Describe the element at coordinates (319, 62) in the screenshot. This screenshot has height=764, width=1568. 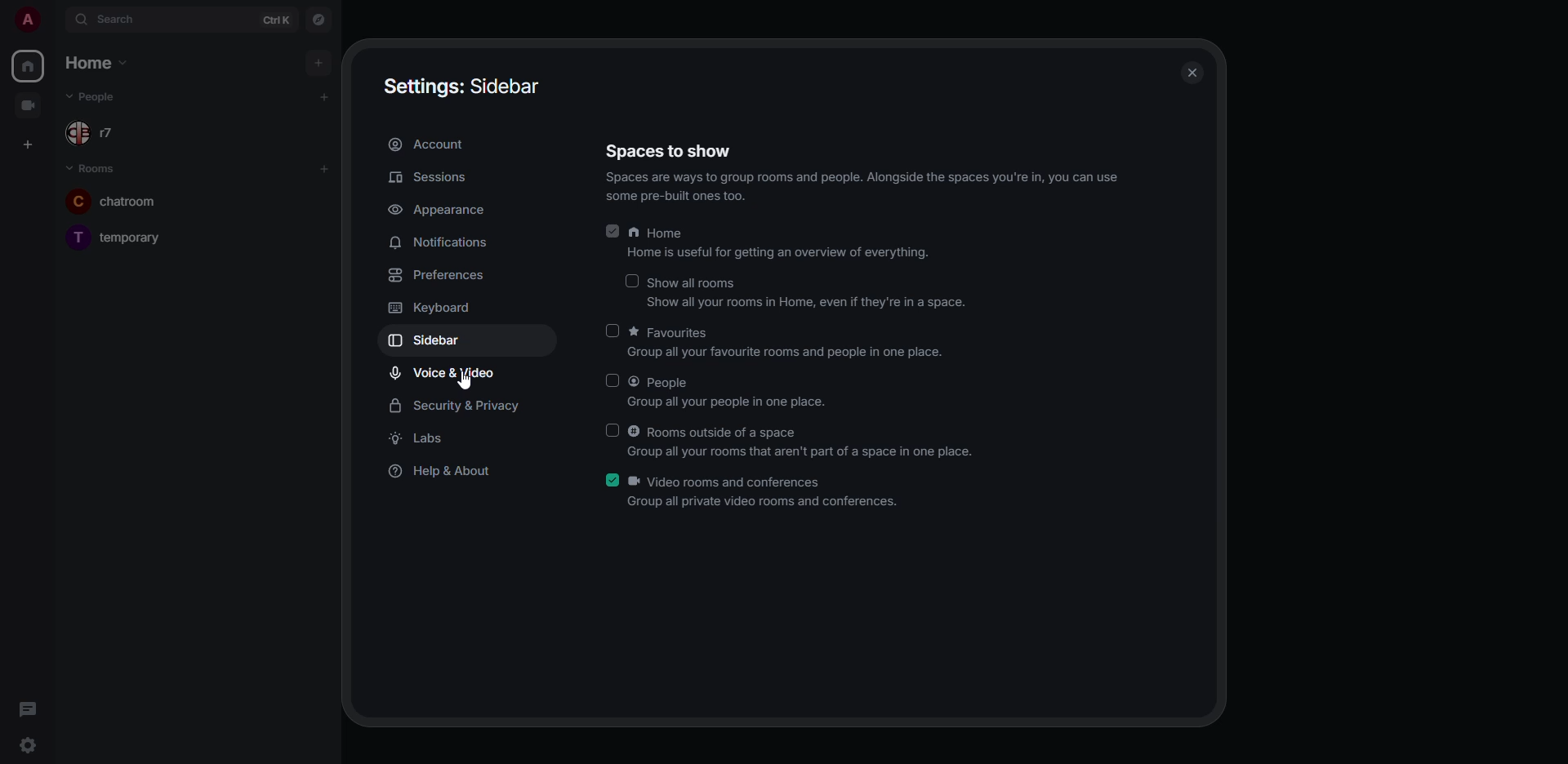
I see `add` at that location.